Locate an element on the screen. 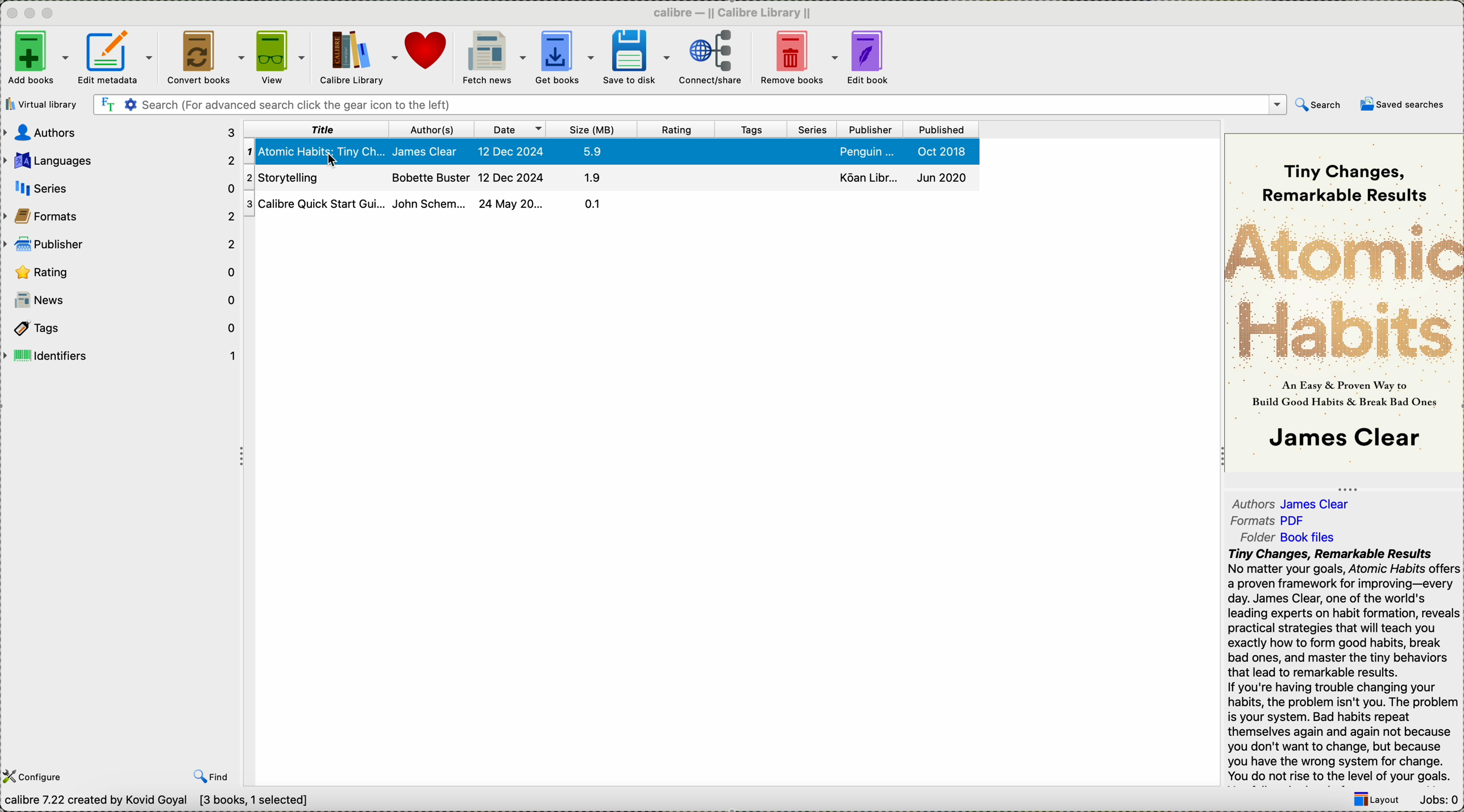 The height and width of the screenshot is (812, 1464). authors is located at coordinates (1294, 501).